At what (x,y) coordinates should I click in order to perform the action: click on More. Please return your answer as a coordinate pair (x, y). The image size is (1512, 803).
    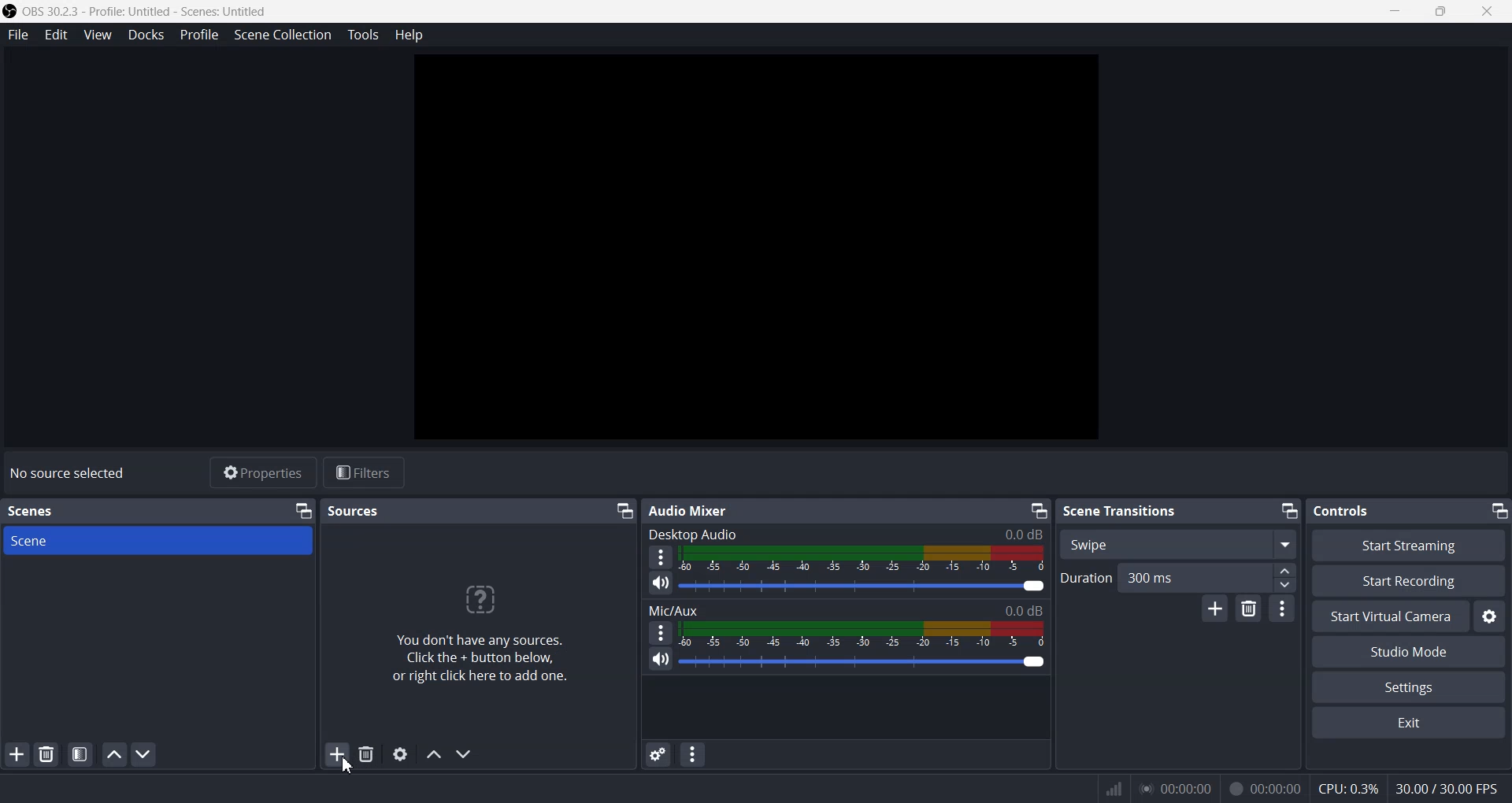
    Looking at the image, I should click on (659, 557).